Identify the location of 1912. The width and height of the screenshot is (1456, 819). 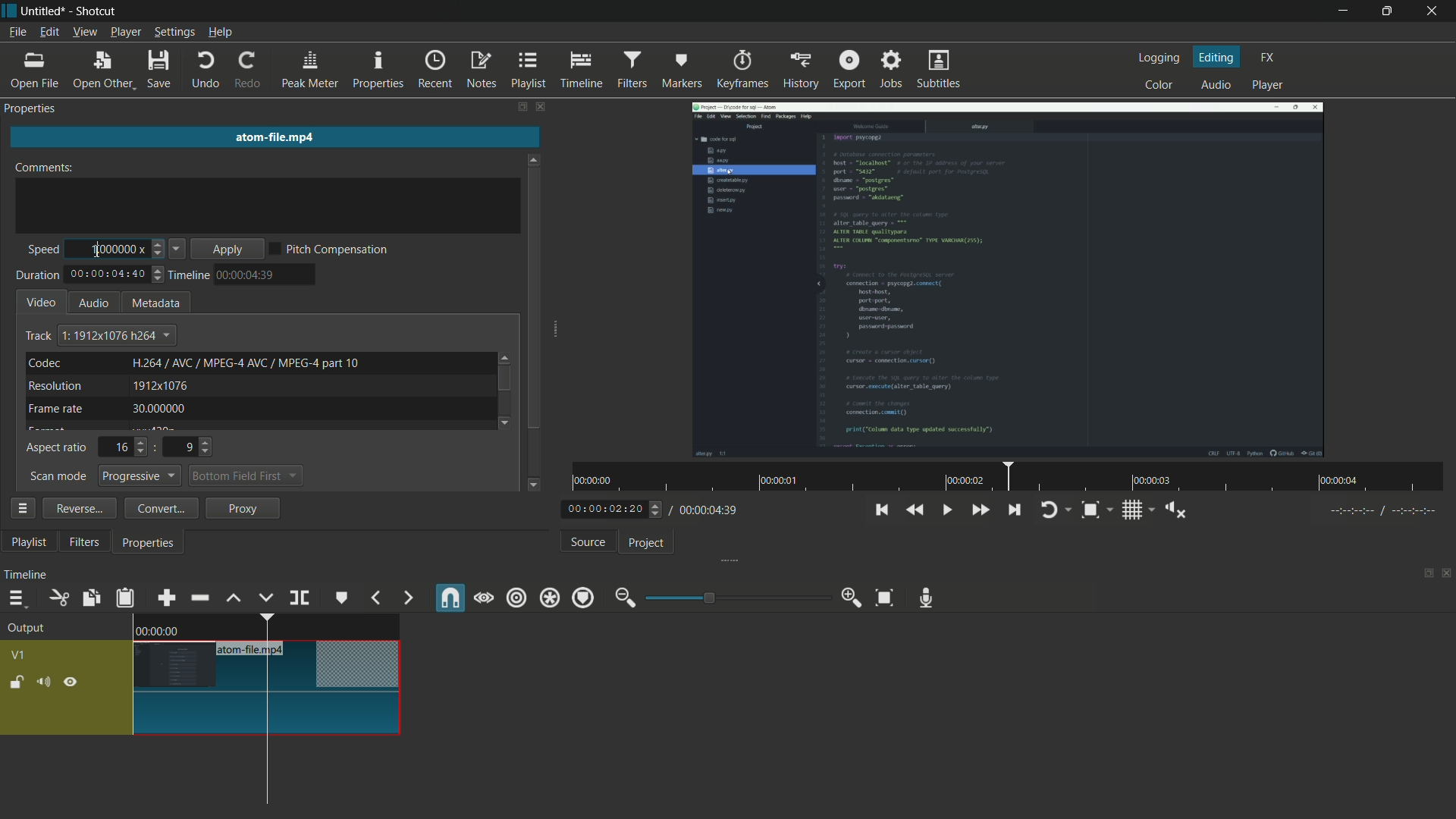
(161, 385).